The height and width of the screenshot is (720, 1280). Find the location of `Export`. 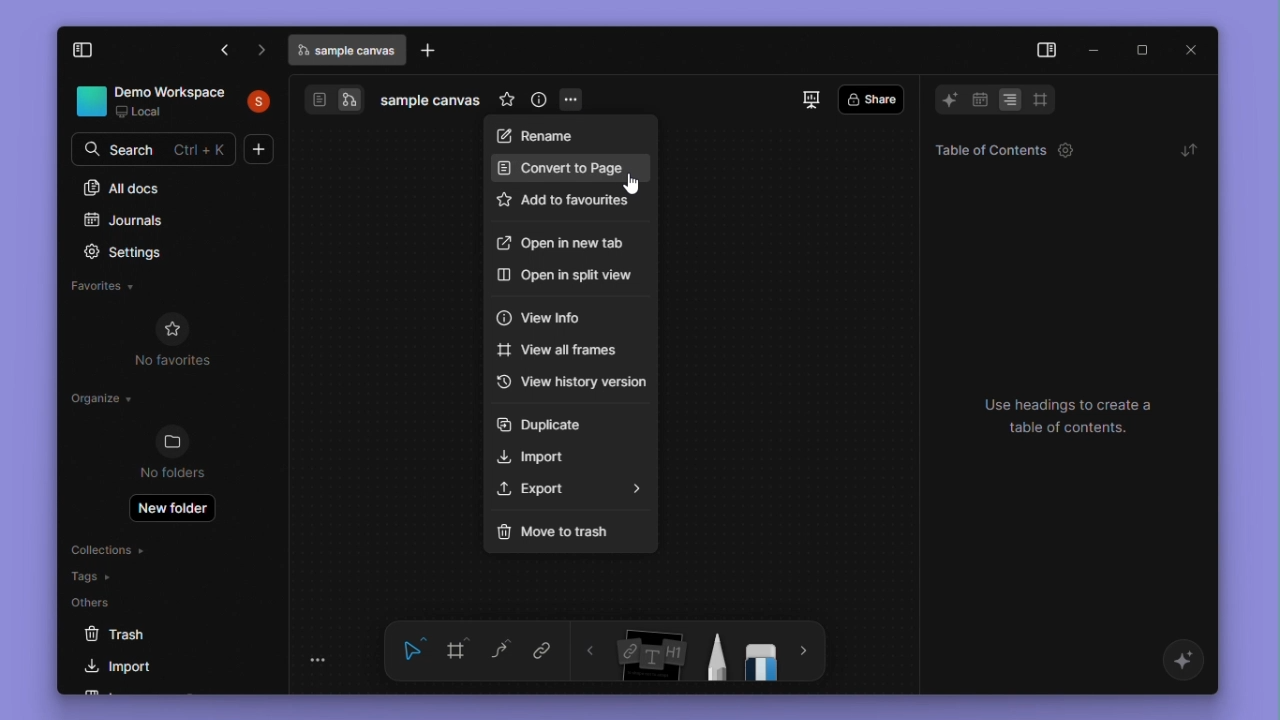

Export is located at coordinates (573, 488).